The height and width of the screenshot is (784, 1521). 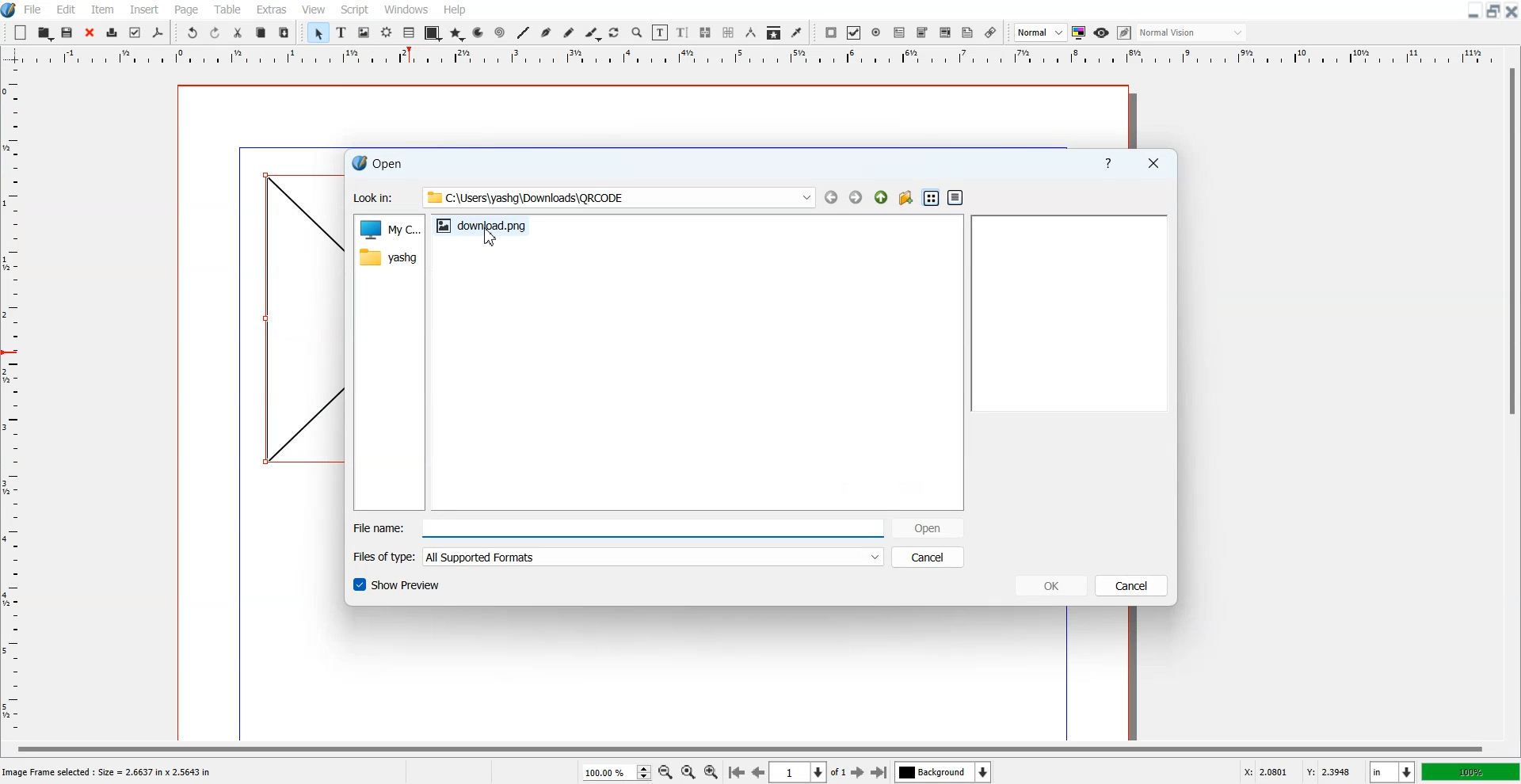 I want to click on Select Zoom Level, so click(x=616, y=771).